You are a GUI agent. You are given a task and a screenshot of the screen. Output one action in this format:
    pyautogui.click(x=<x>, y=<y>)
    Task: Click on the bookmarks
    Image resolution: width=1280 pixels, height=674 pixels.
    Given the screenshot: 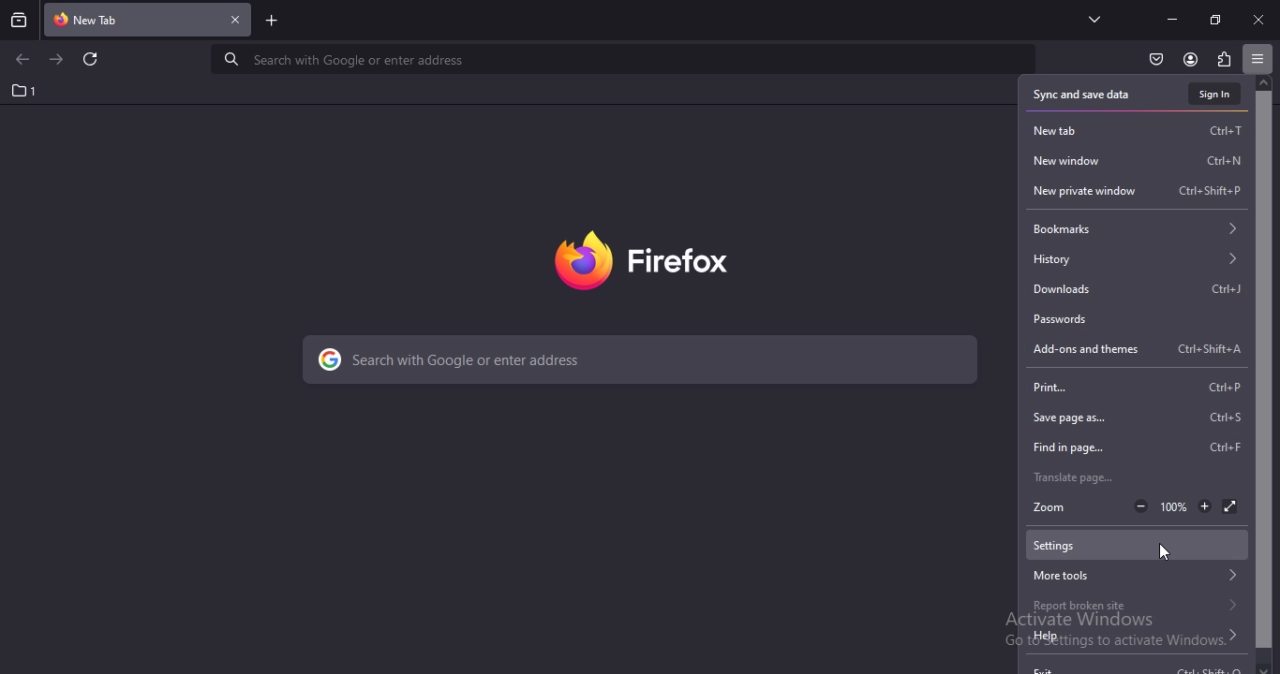 What is the action you would take?
    pyautogui.click(x=1136, y=227)
    